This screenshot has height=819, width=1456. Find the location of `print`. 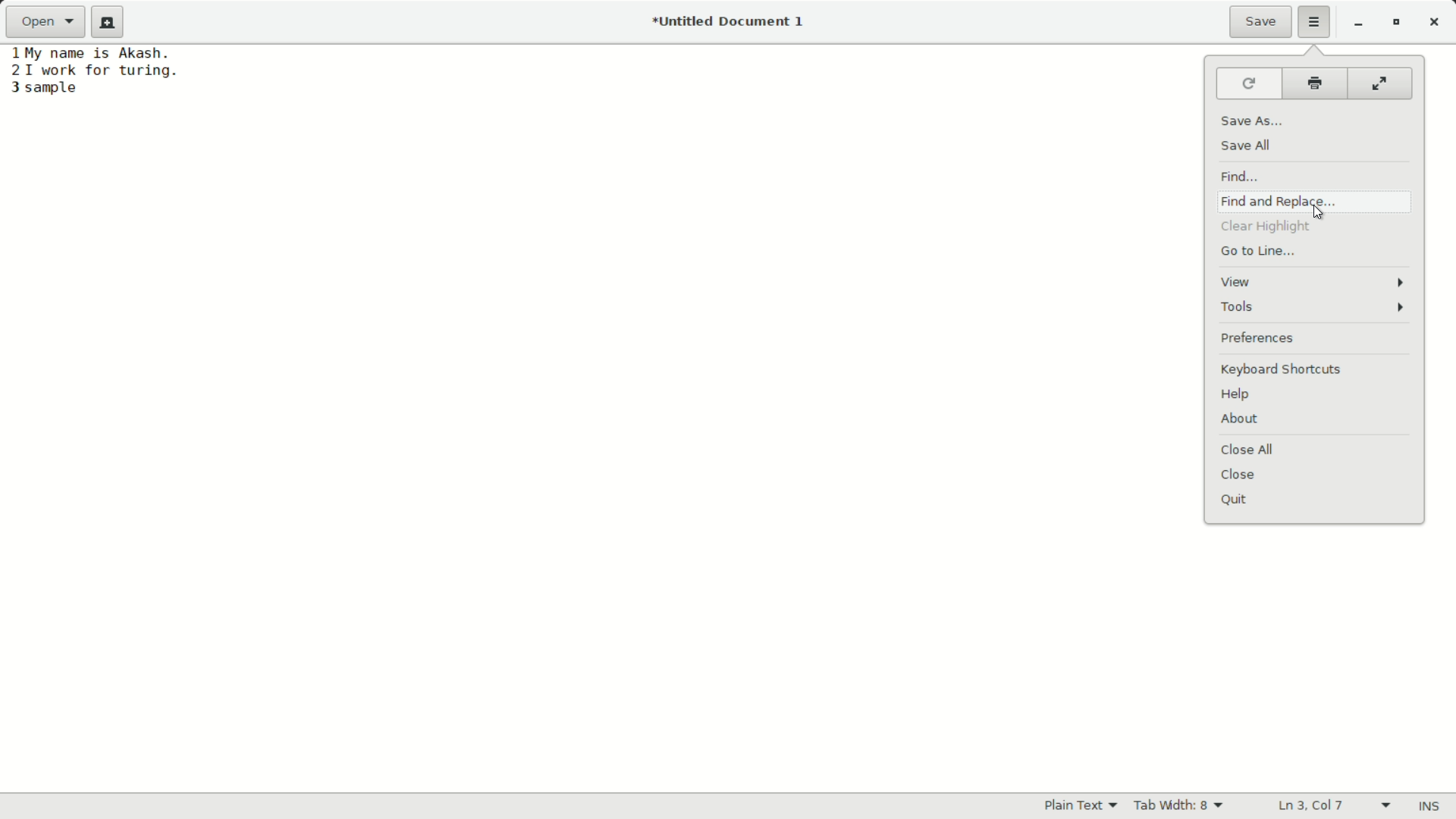

print is located at coordinates (1316, 86).